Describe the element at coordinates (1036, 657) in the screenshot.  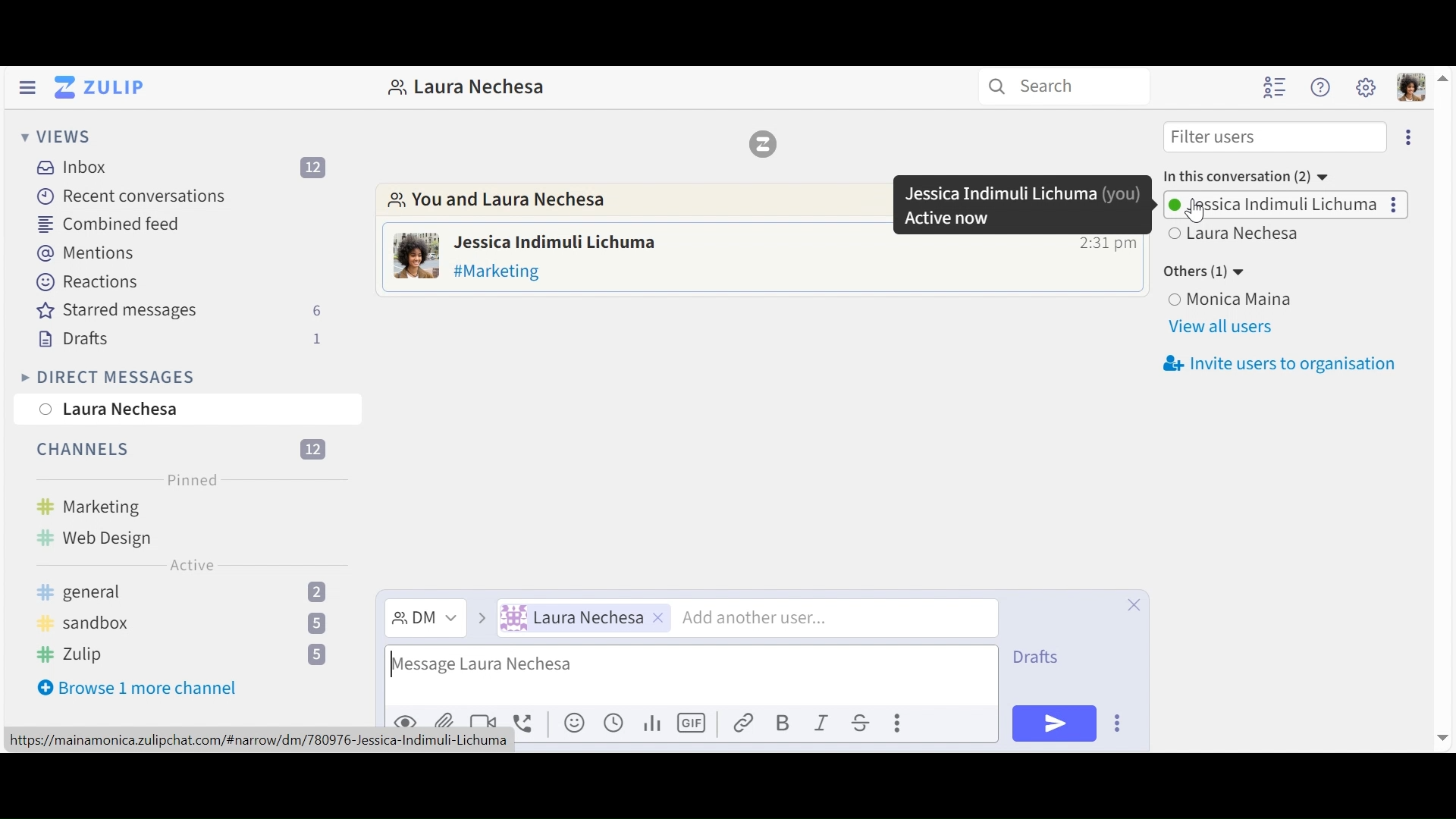
I see `Drafts` at that location.